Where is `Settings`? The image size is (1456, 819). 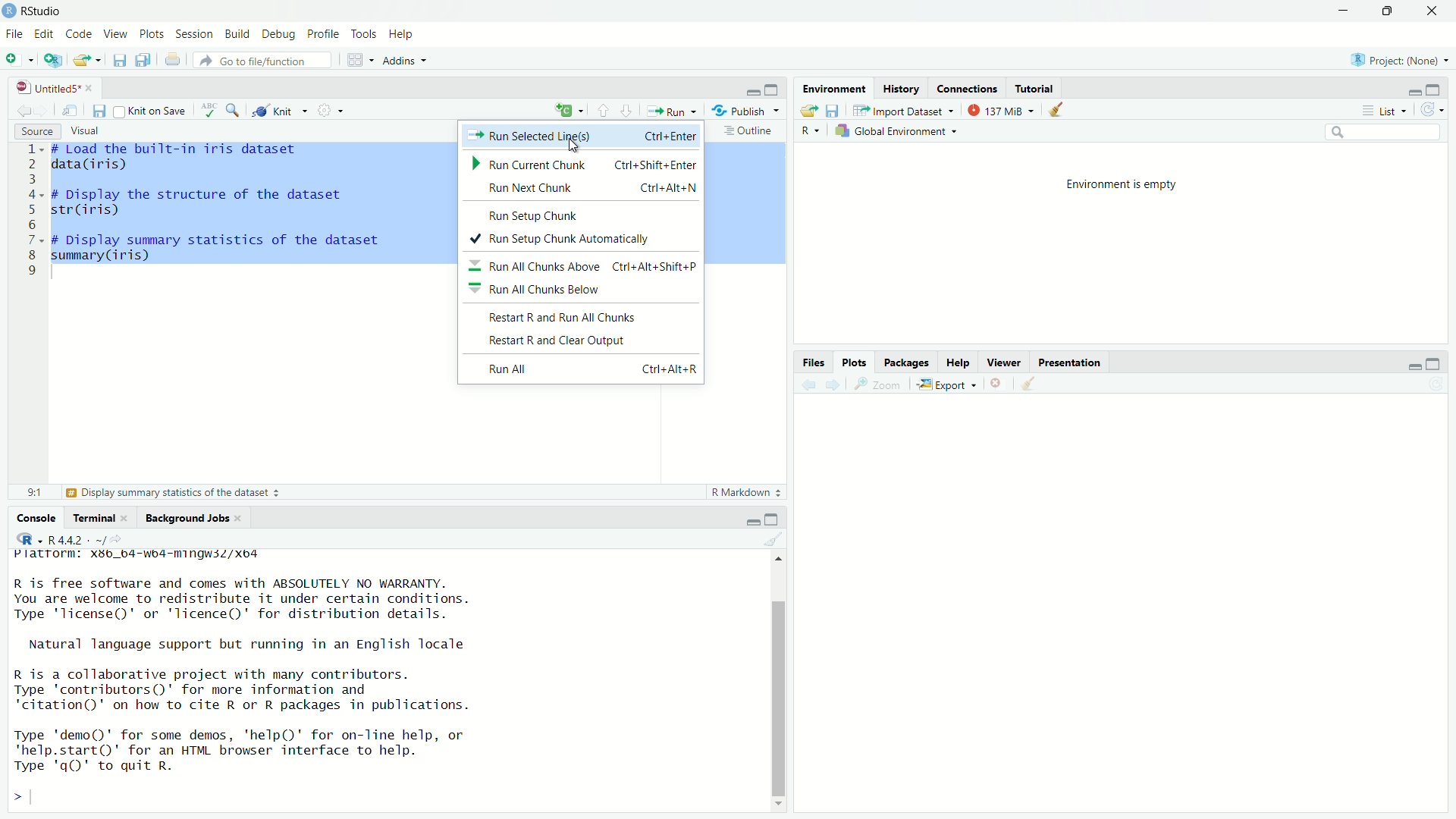
Settings is located at coordinates (335, 110).